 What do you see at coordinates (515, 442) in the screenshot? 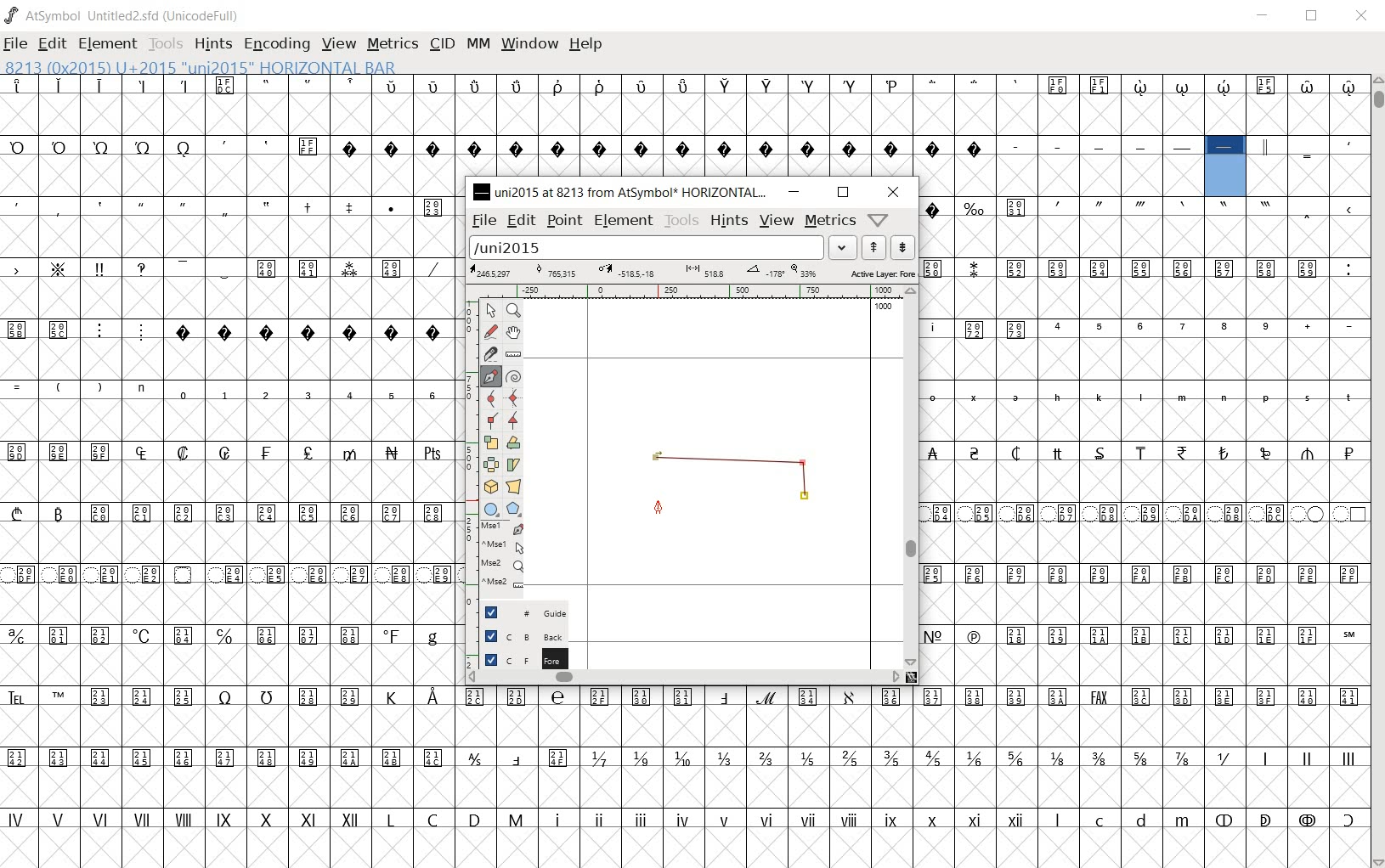
I see `Rotate the selection` at bounding box center [515, 442].